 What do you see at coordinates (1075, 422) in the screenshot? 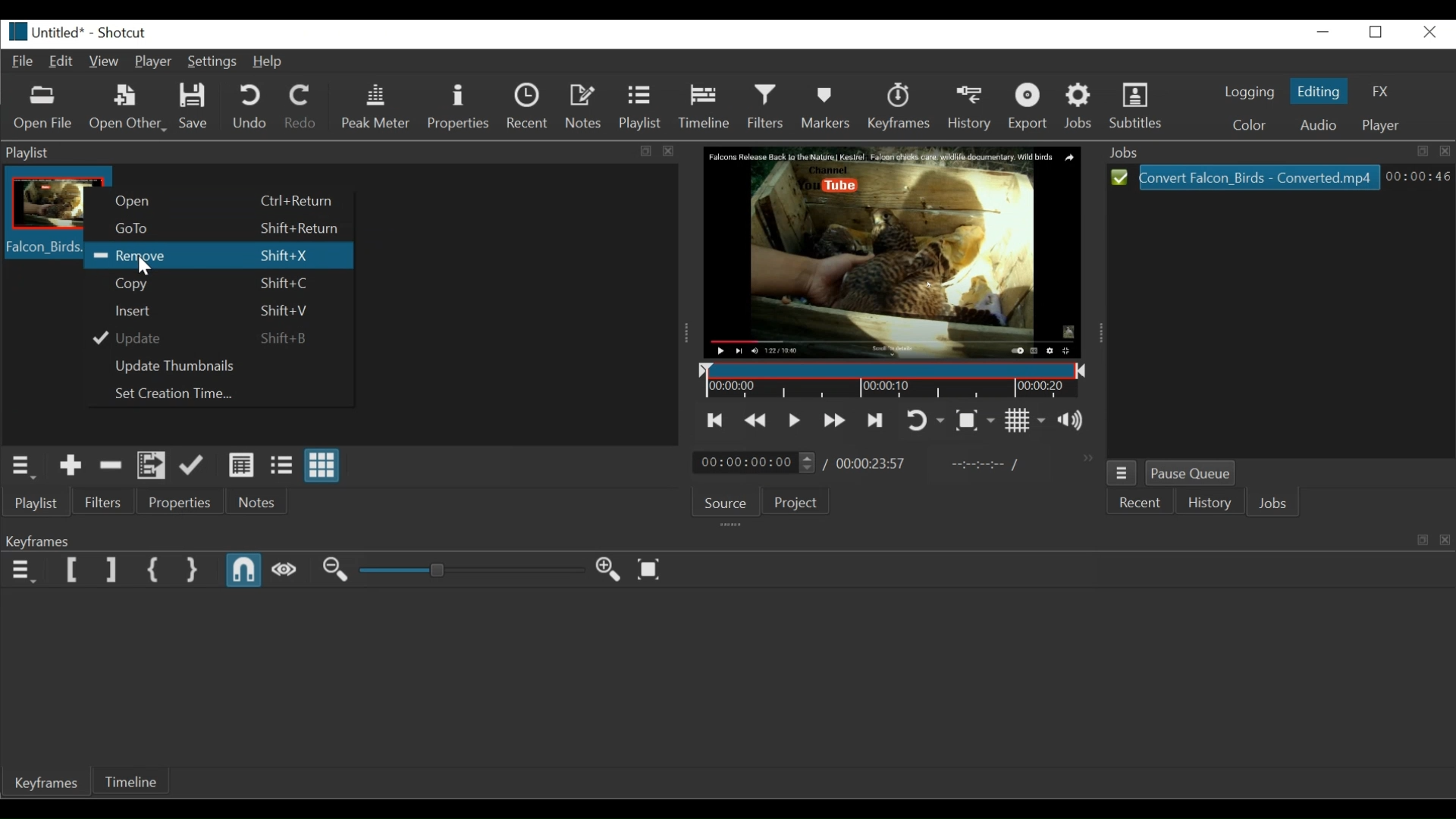
I see `Show the volume control` at bounding box center [1075, 422].